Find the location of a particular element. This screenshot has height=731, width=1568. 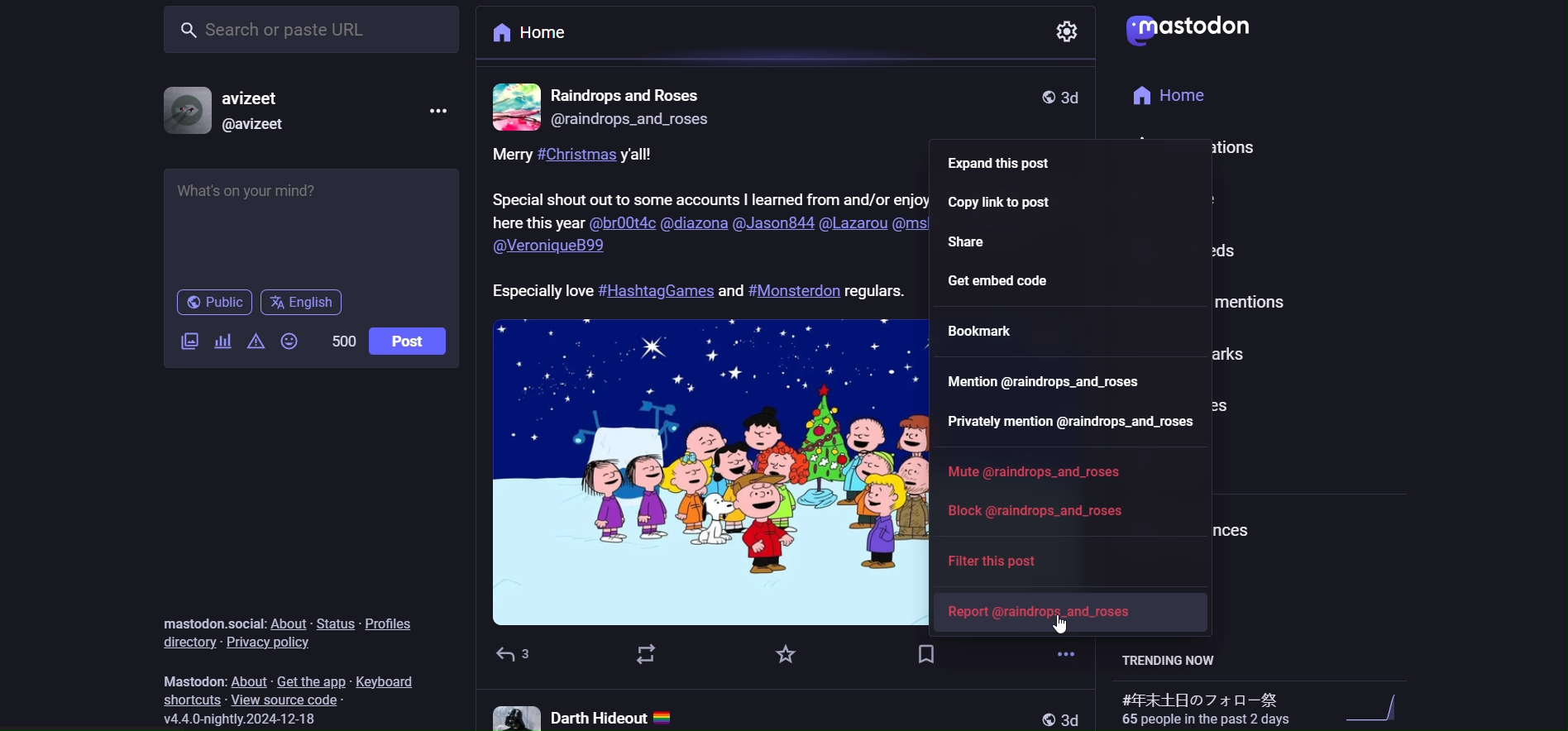

boost is located at coordinates (643, 657).